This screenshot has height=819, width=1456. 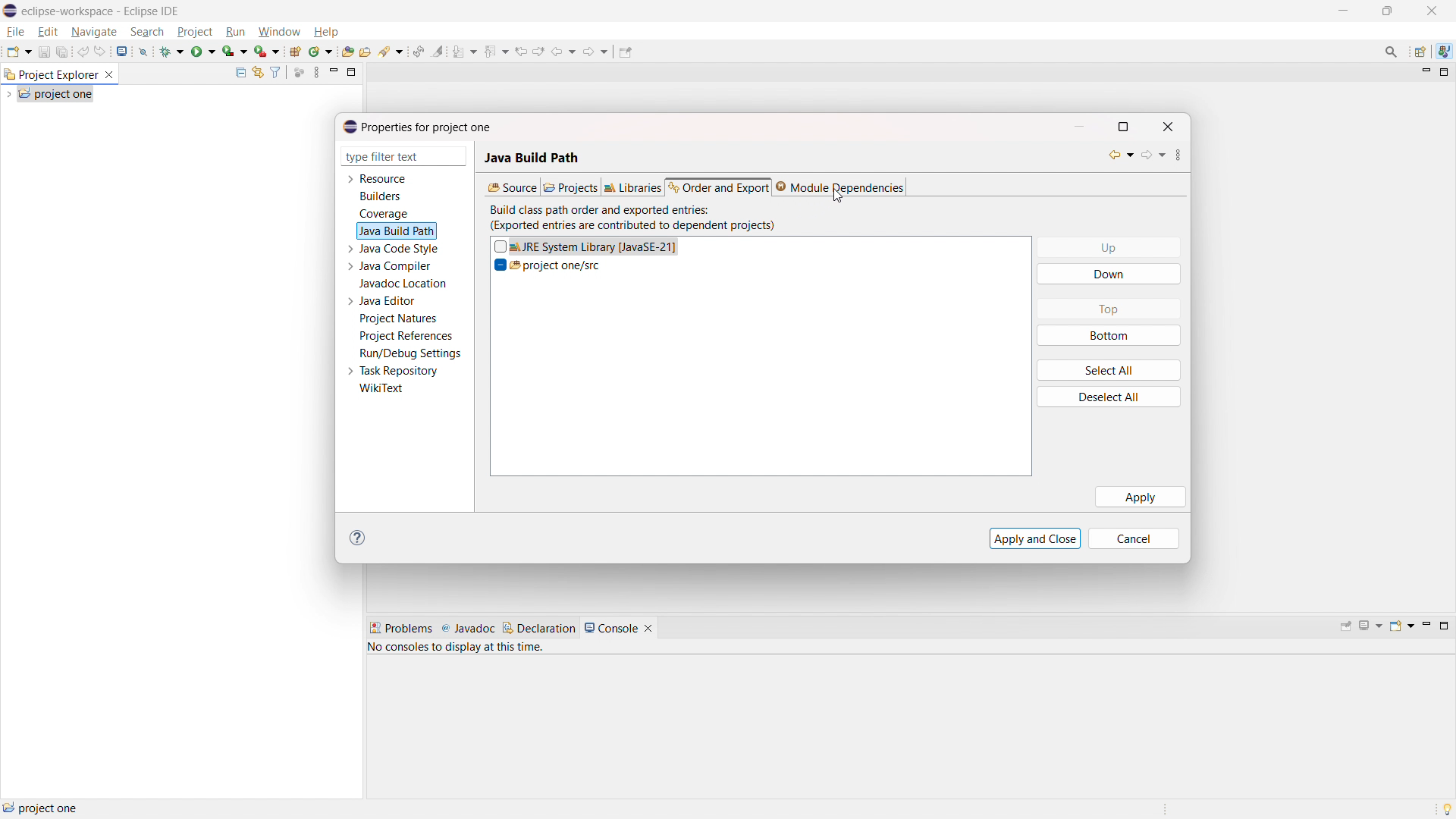 What do you see at coordinates (83, 51) in the screenshot?
I see `undo` at bounding box center [83, 51].